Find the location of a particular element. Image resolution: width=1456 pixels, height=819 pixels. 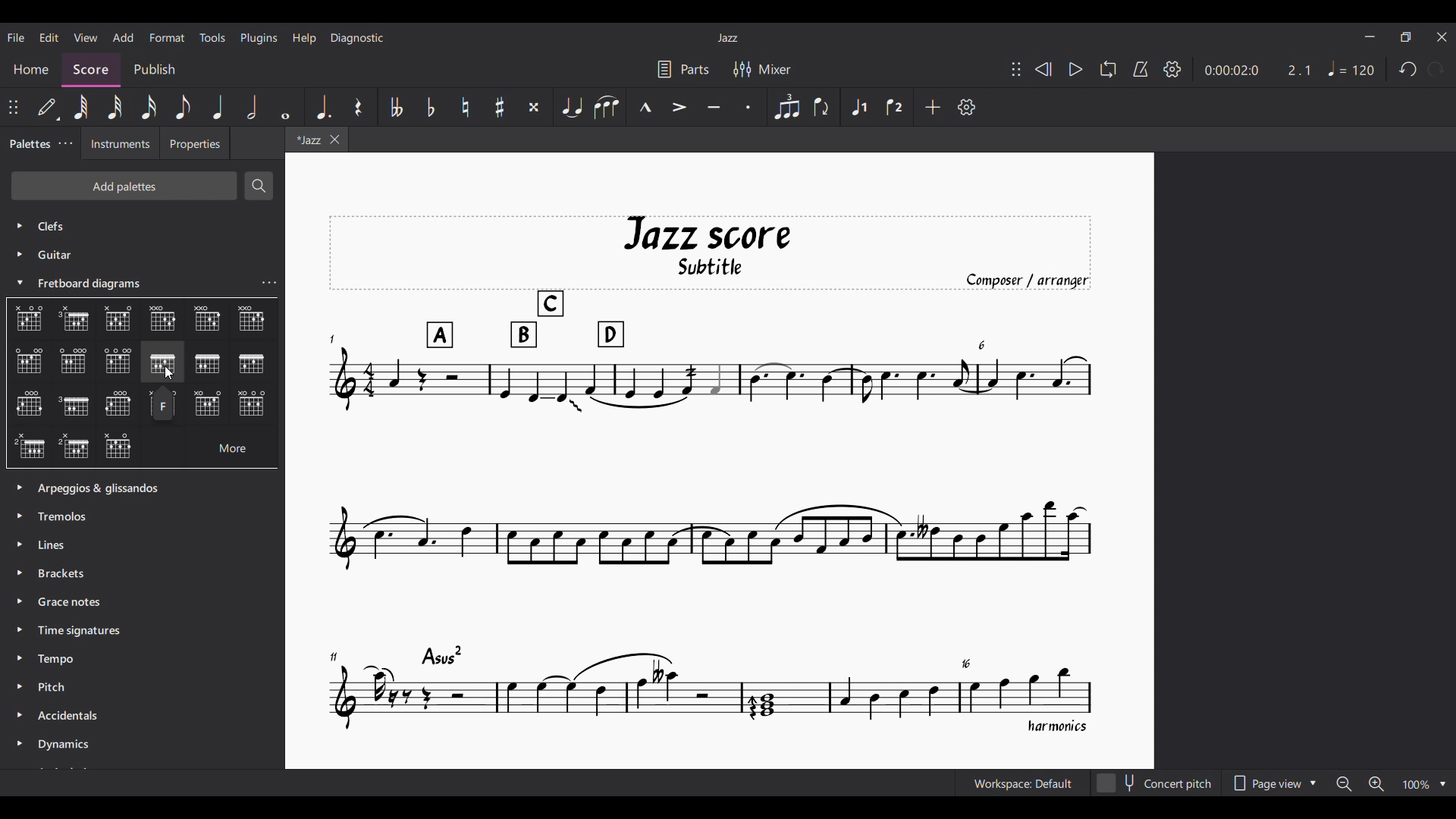

Publish is located at coordinates (157, 67).